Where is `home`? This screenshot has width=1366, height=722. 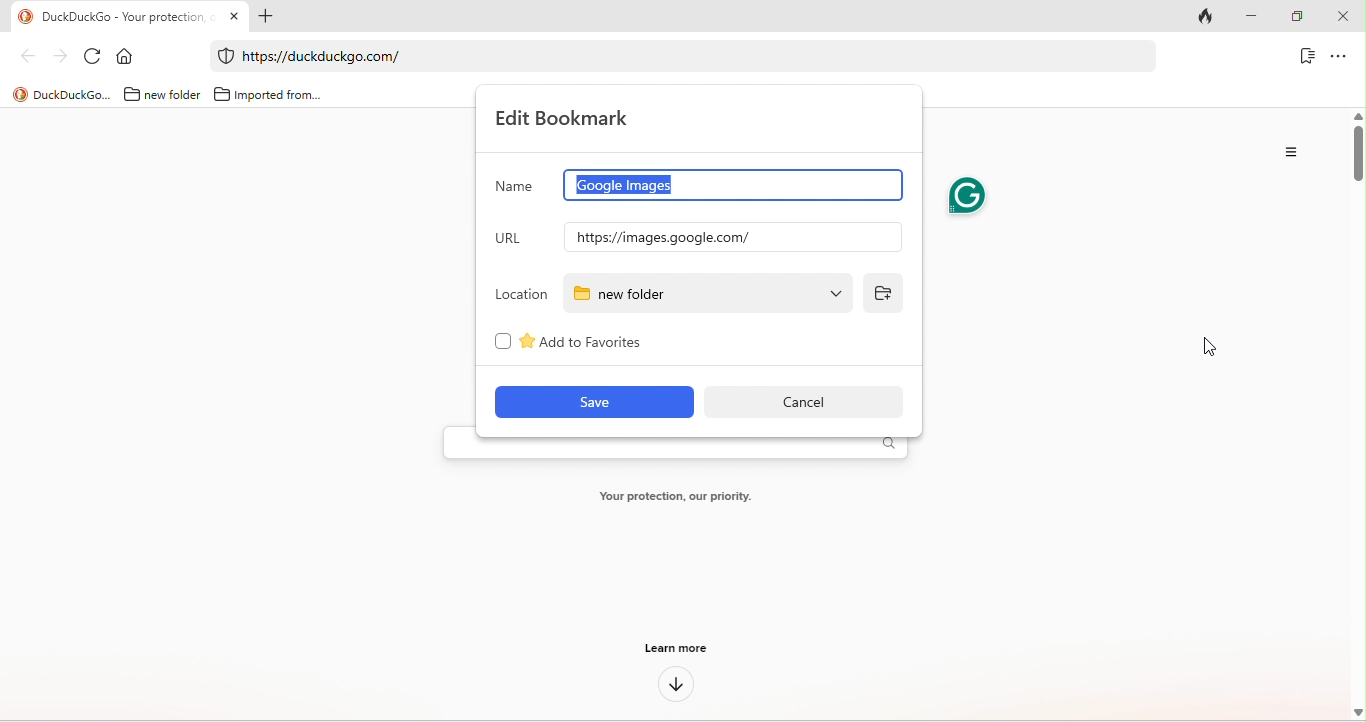
home is located at coordinates (127, 55).